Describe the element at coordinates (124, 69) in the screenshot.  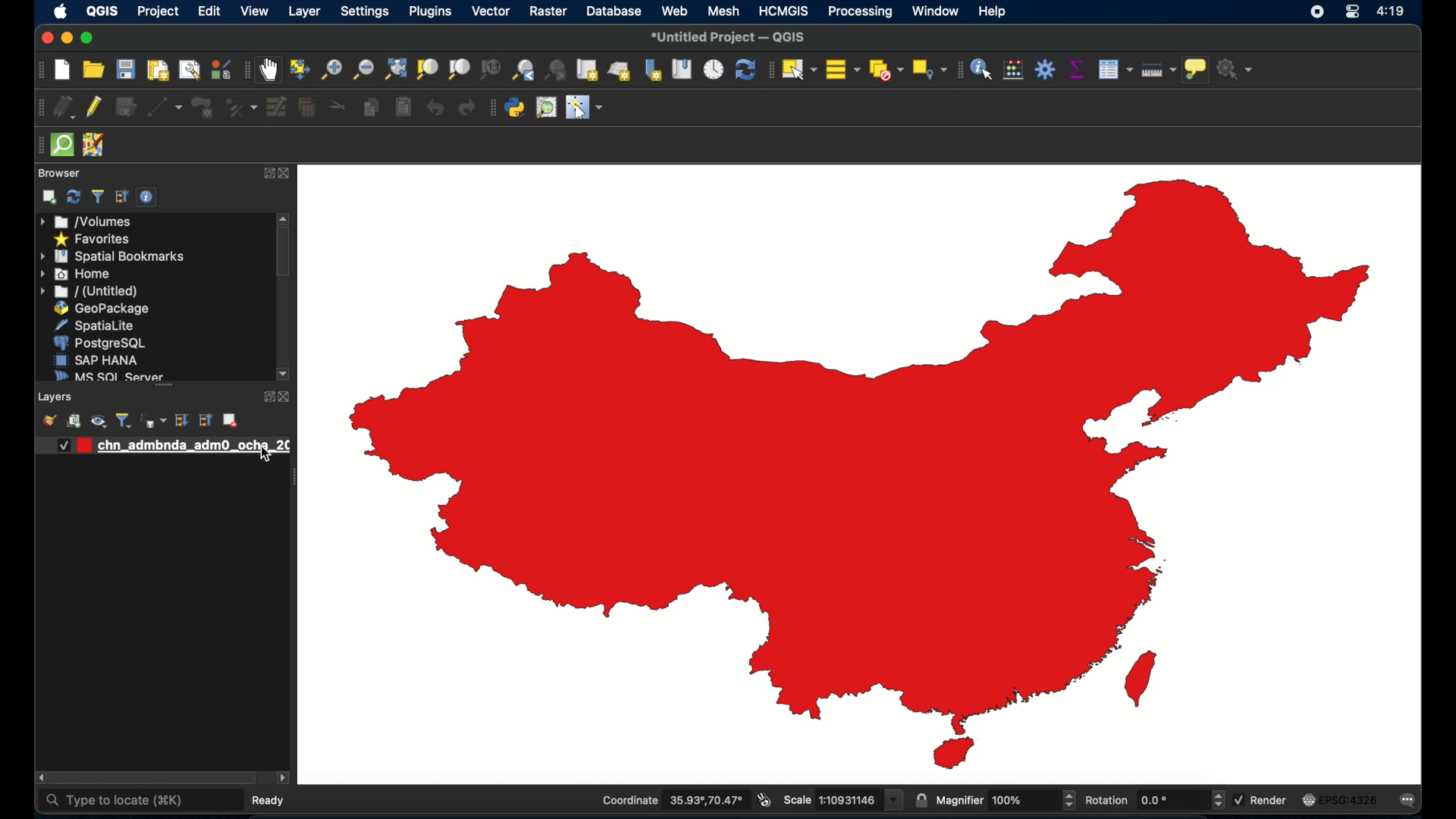
I see `save project` at that location.